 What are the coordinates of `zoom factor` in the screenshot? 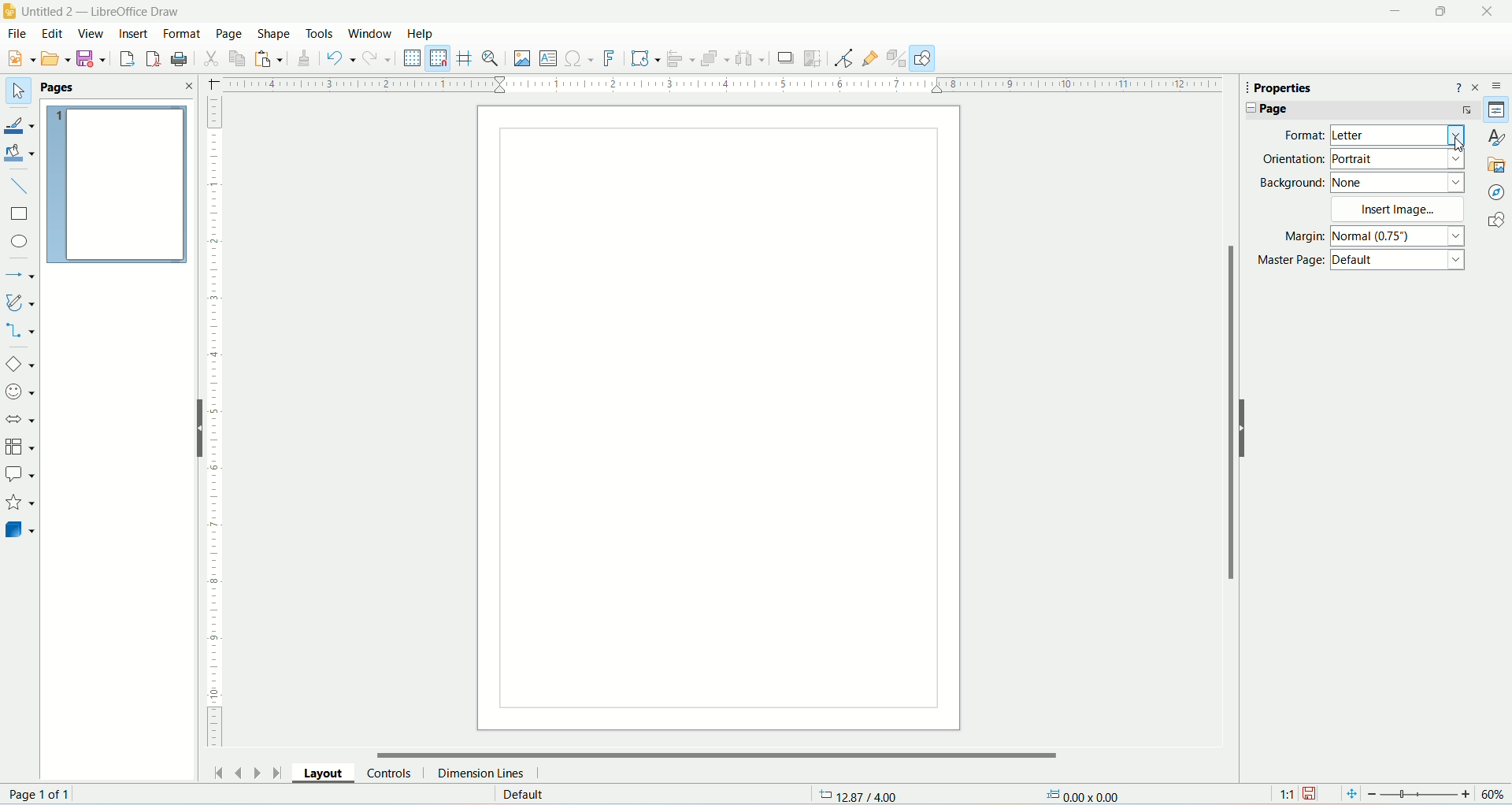 It's located at (1439, 794).